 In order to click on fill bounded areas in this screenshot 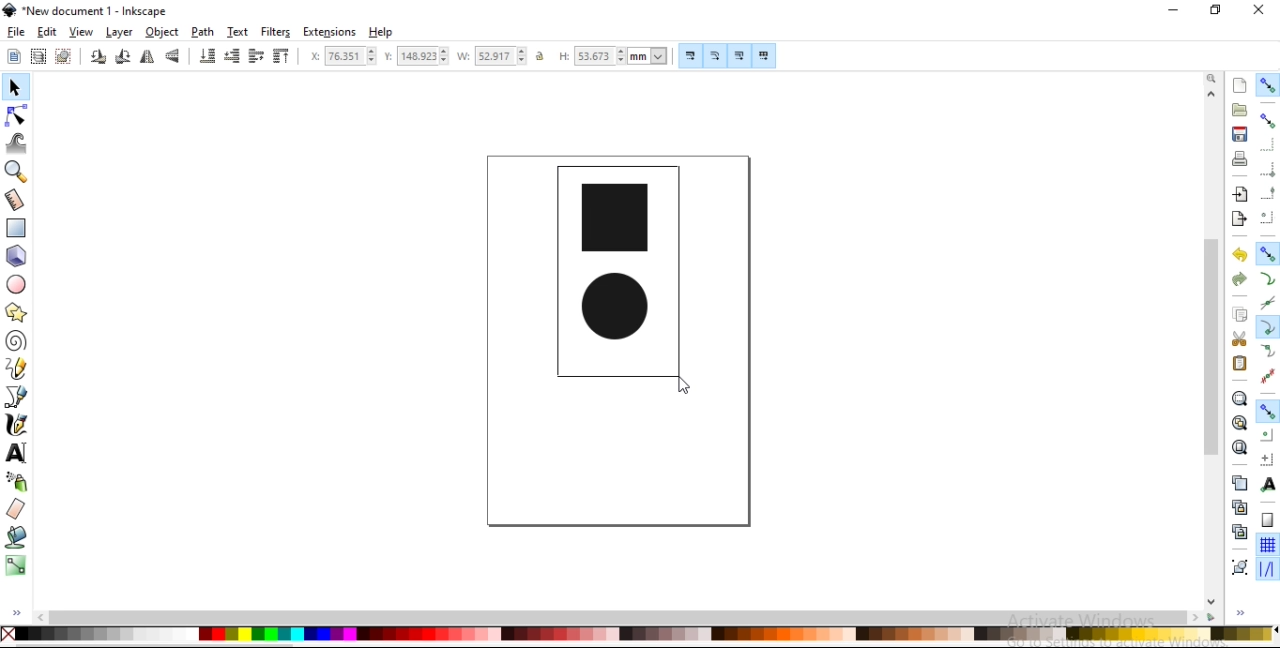, I will do `click(17, 538)`.